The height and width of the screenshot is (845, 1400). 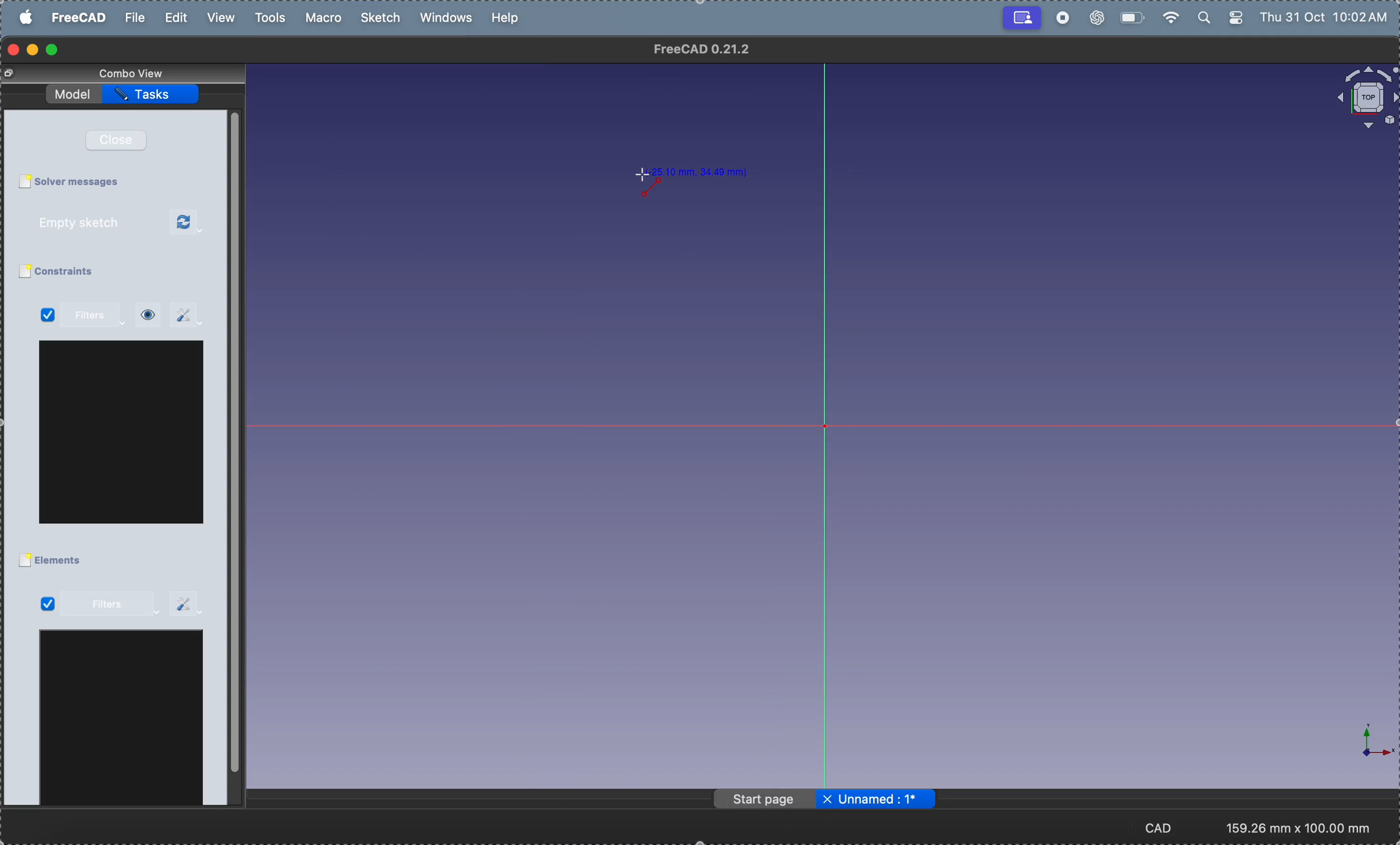 I want to click on file, so click(x=135, y=18).